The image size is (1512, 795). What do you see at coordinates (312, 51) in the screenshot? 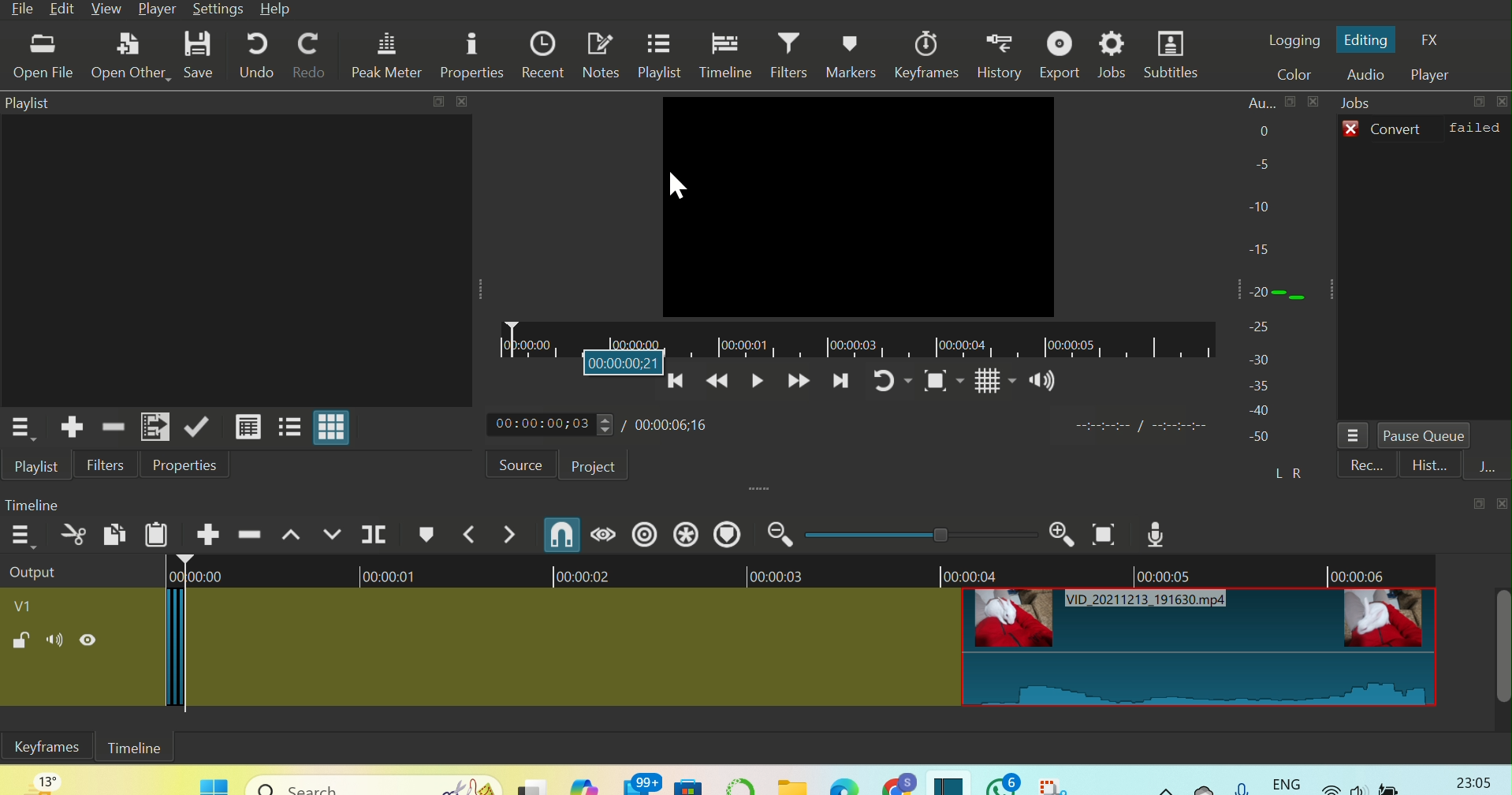
I see `Redo` at bounding box center [312, 51].